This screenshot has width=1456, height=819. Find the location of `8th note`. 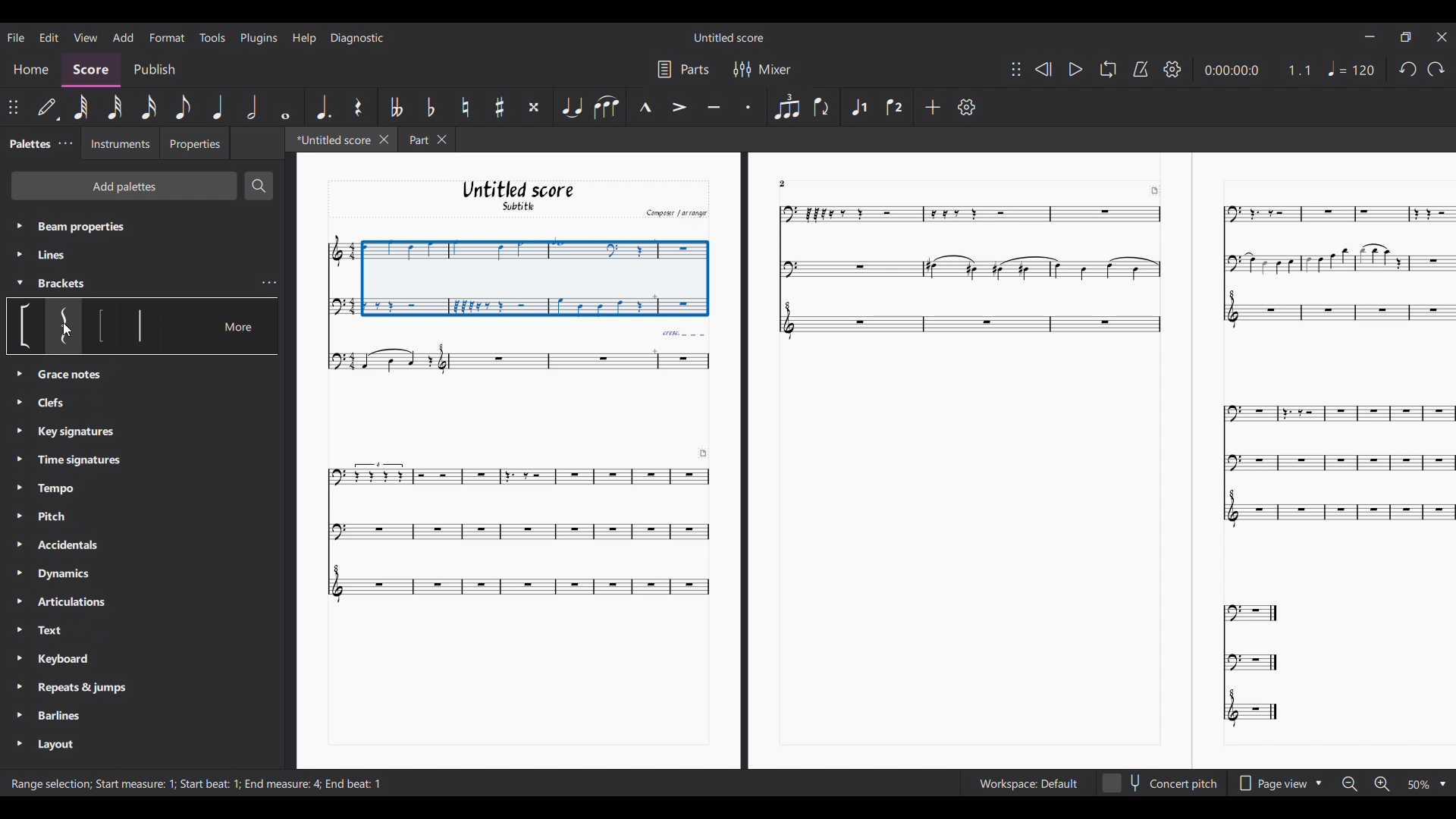

8th note is located at coordinates (183, 107).